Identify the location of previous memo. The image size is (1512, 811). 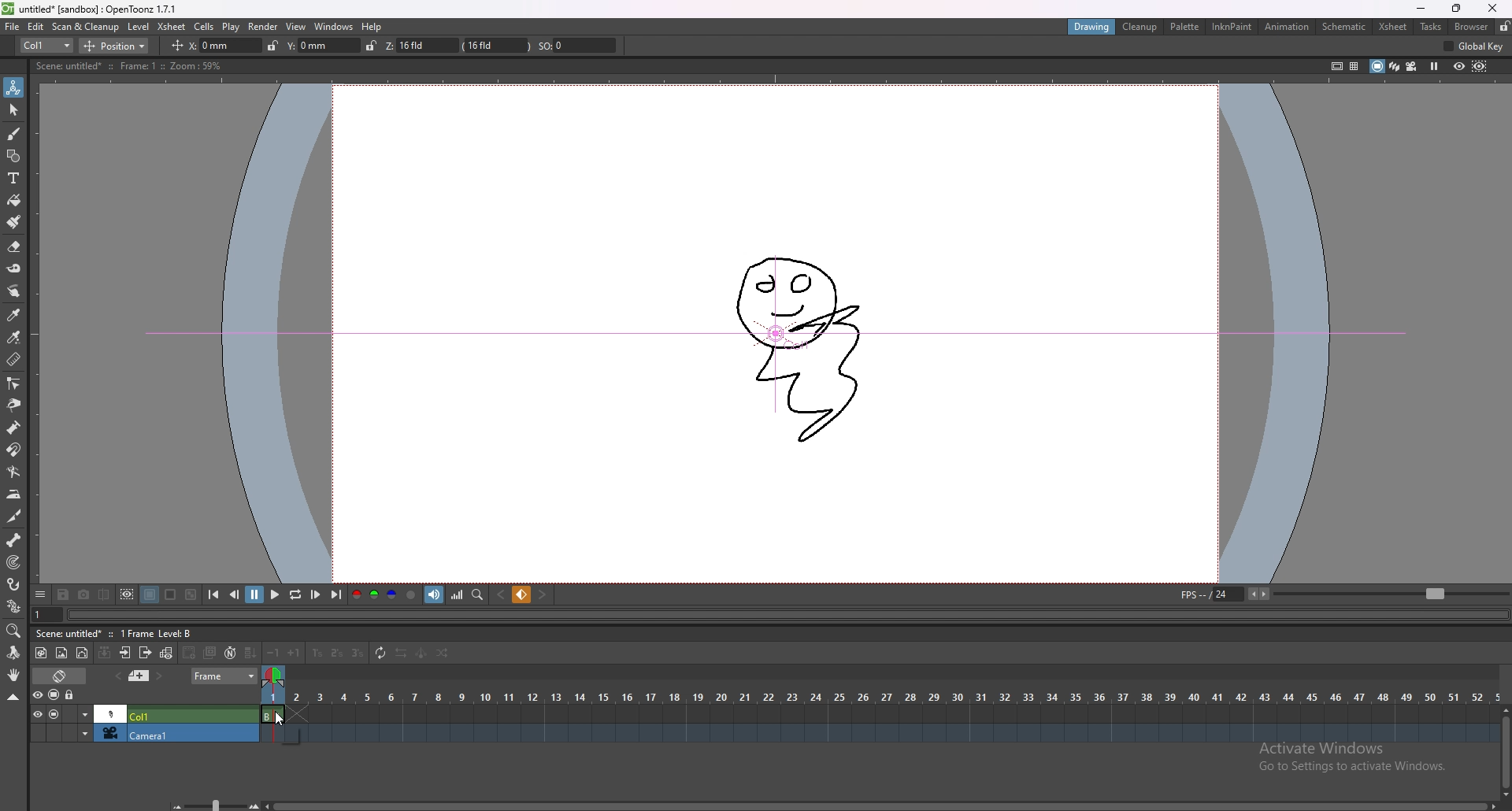
(117, 676).